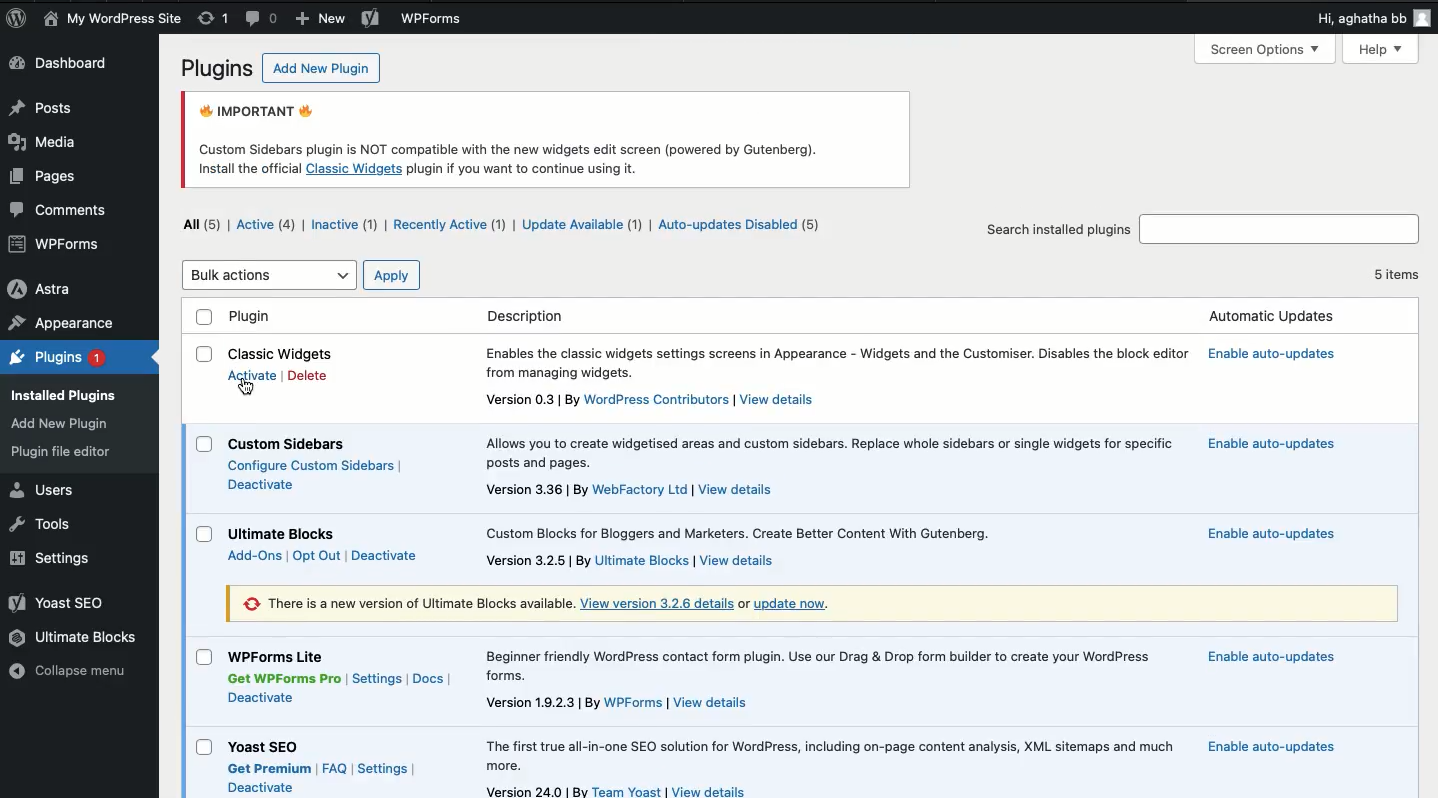 This screenshot has width=1438, height=798. What do you see at coordinates (318, 466) in the screenshot?
I see `Configure custom sidebars` at bounding box center [318, 466].